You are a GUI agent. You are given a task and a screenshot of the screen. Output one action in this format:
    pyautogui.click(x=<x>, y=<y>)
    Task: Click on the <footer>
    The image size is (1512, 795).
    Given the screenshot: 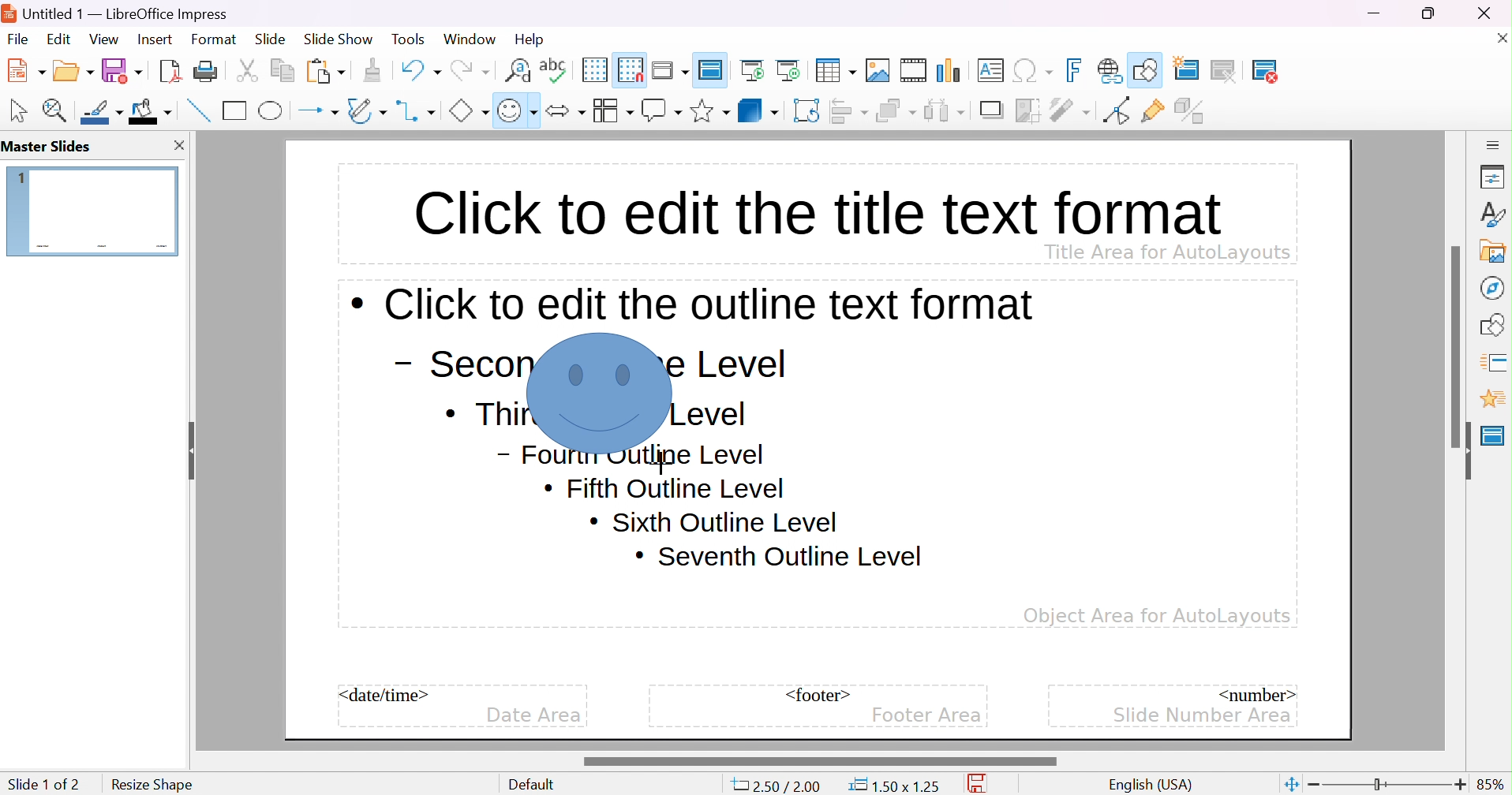 What is the action you would take?
    pyautogui.click(x=818, y=695)
    